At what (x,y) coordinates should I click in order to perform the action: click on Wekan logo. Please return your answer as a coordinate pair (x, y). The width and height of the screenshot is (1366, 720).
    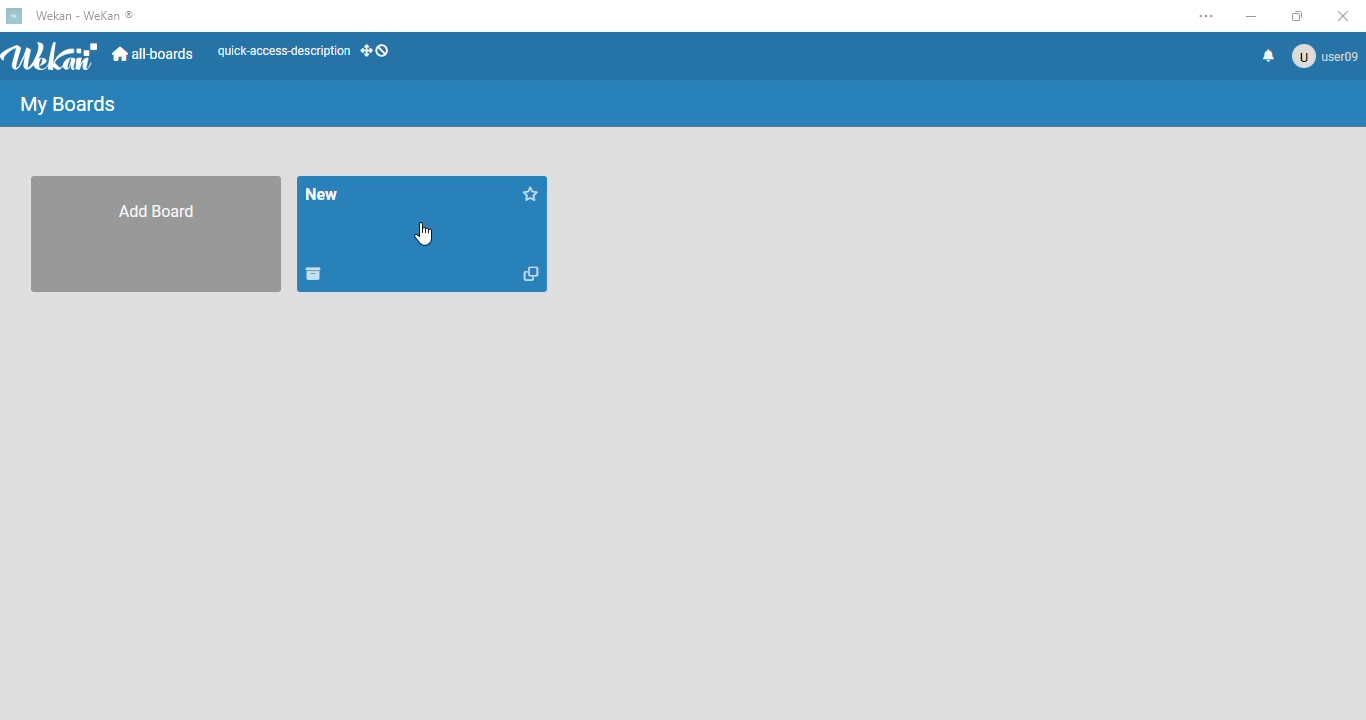
    Looking at the image, I should click on (15, 15).